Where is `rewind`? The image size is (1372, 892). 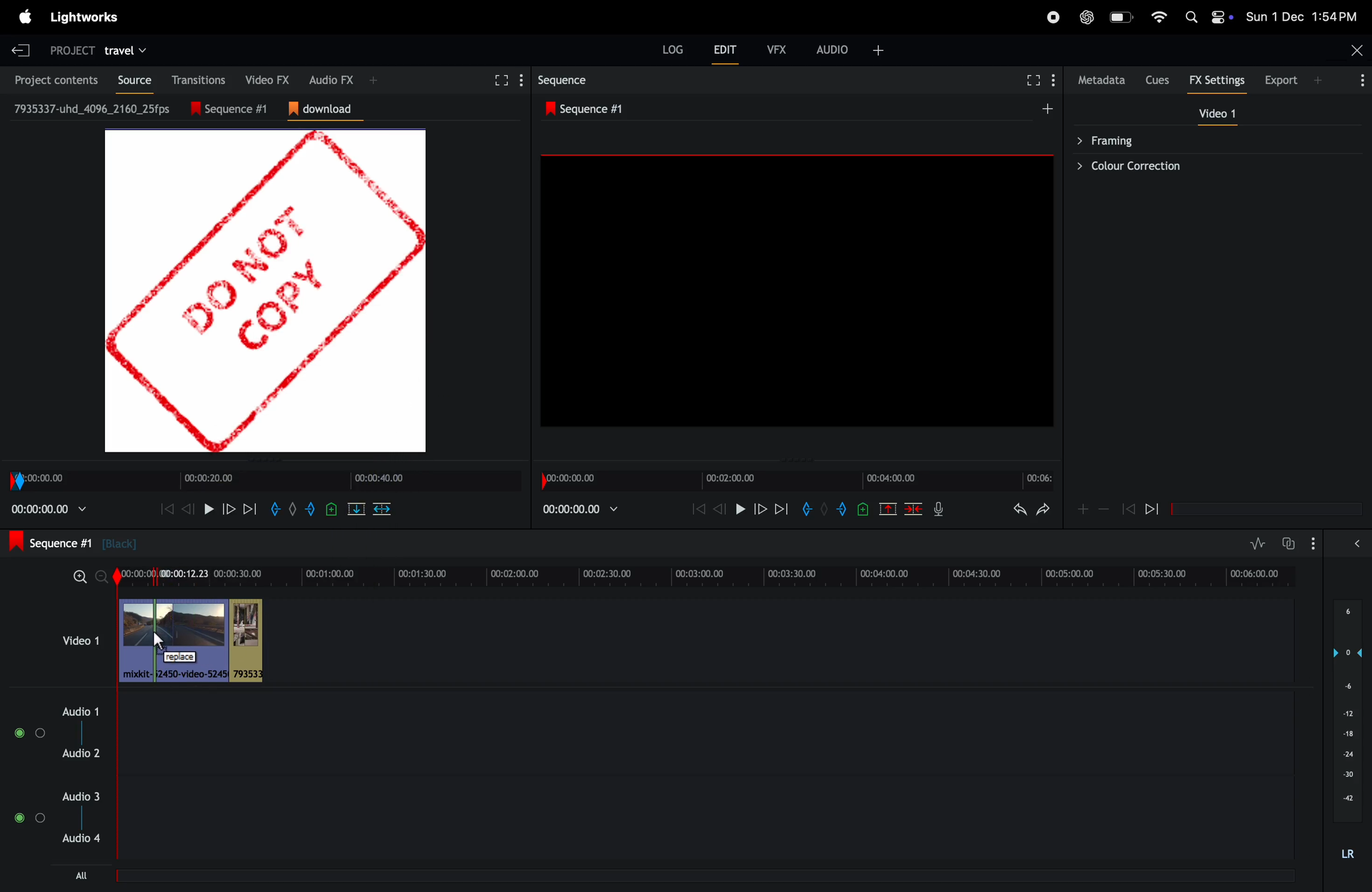 rewind is located at coordinates (186, 509).